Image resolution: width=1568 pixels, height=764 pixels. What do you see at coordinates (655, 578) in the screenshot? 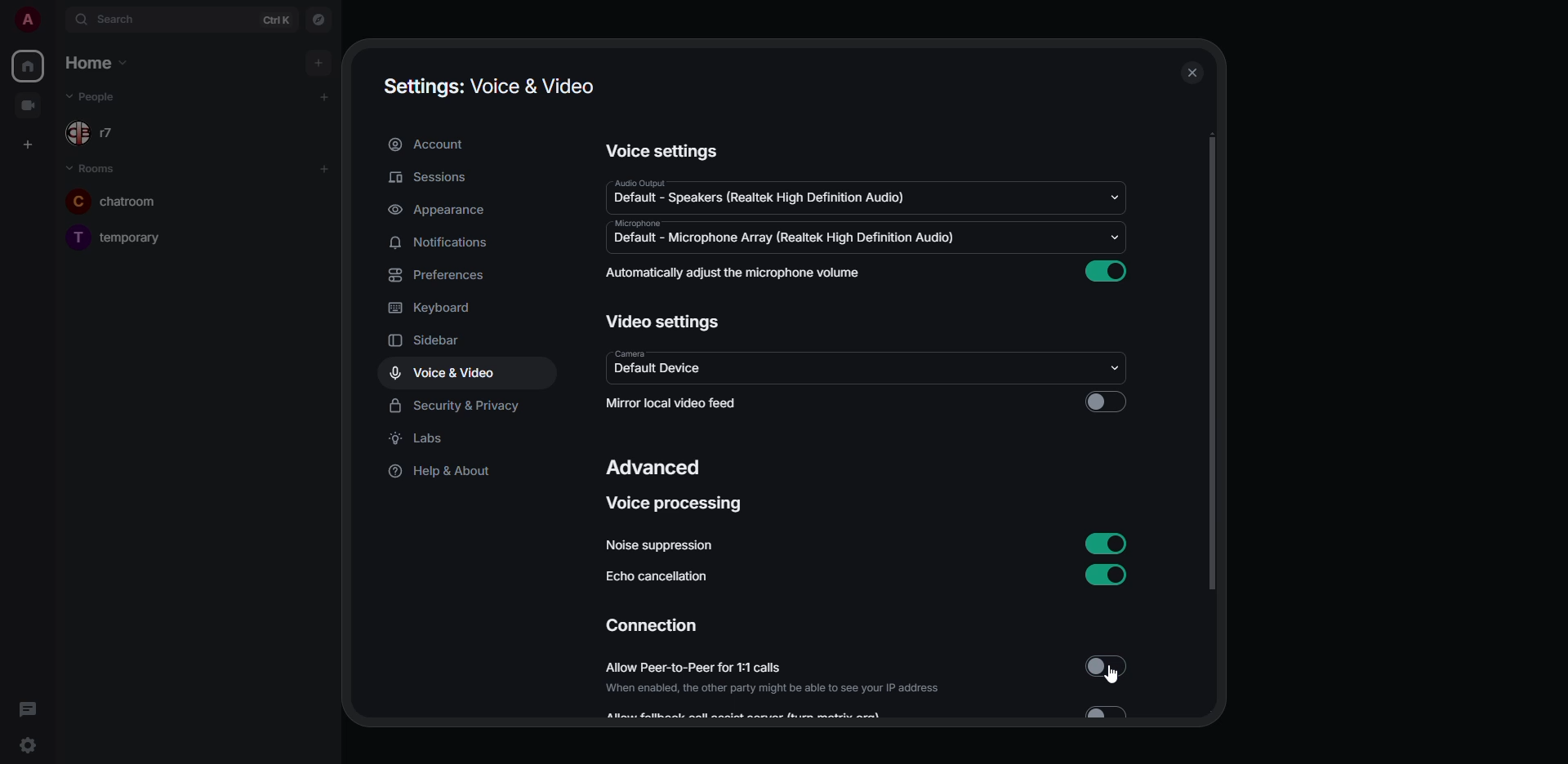
I see `echo cancellation` at bounding box center [655, 578].